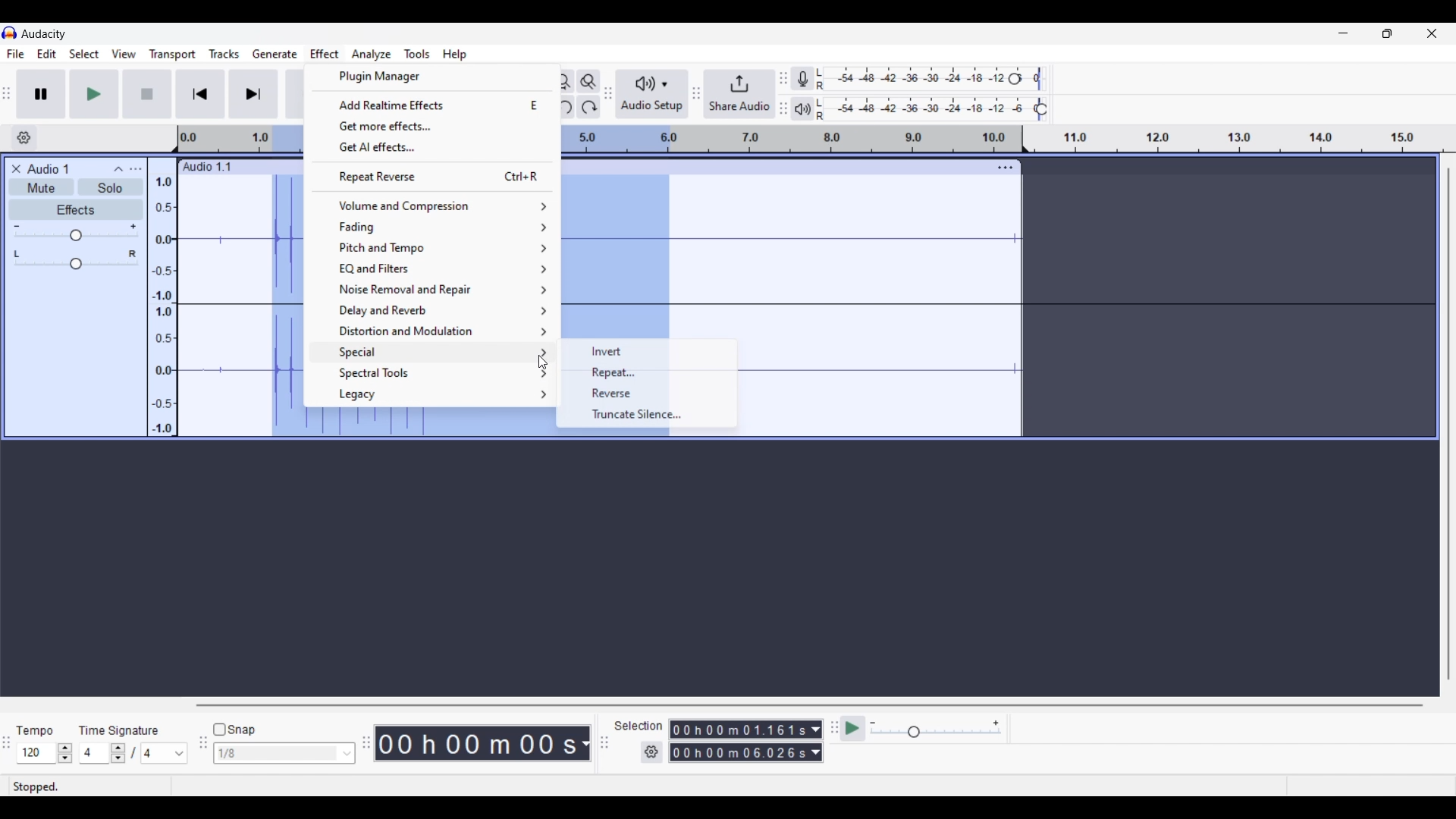 The image size is (1456, 819). Describe the element at coordinates (936, 733) in the screenshot. I see `Slider to change playback speed` at that location.